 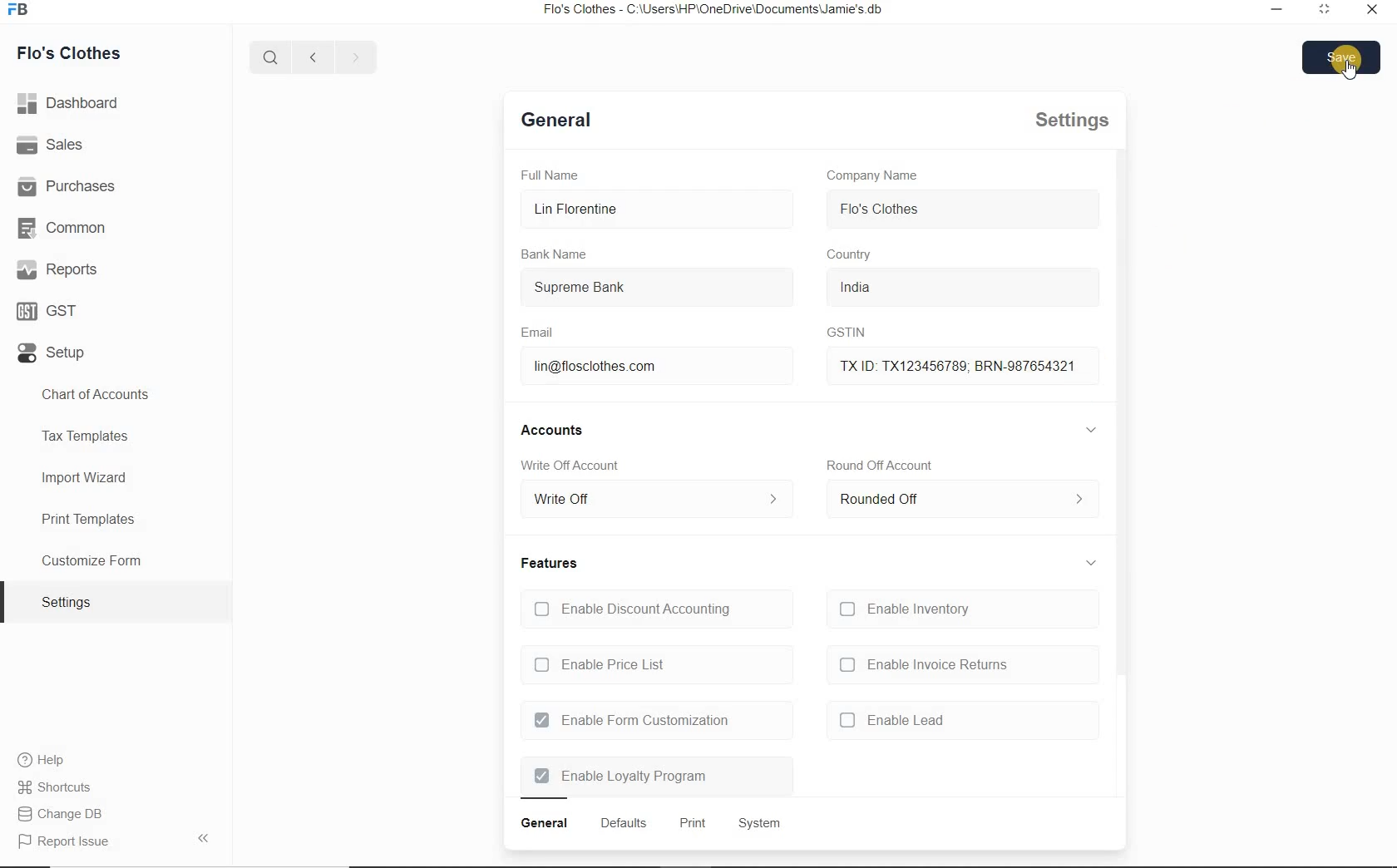 What do you see at coordinates (274, 57) in the screenshot?
I see `search` at bounding box center [274, 57].